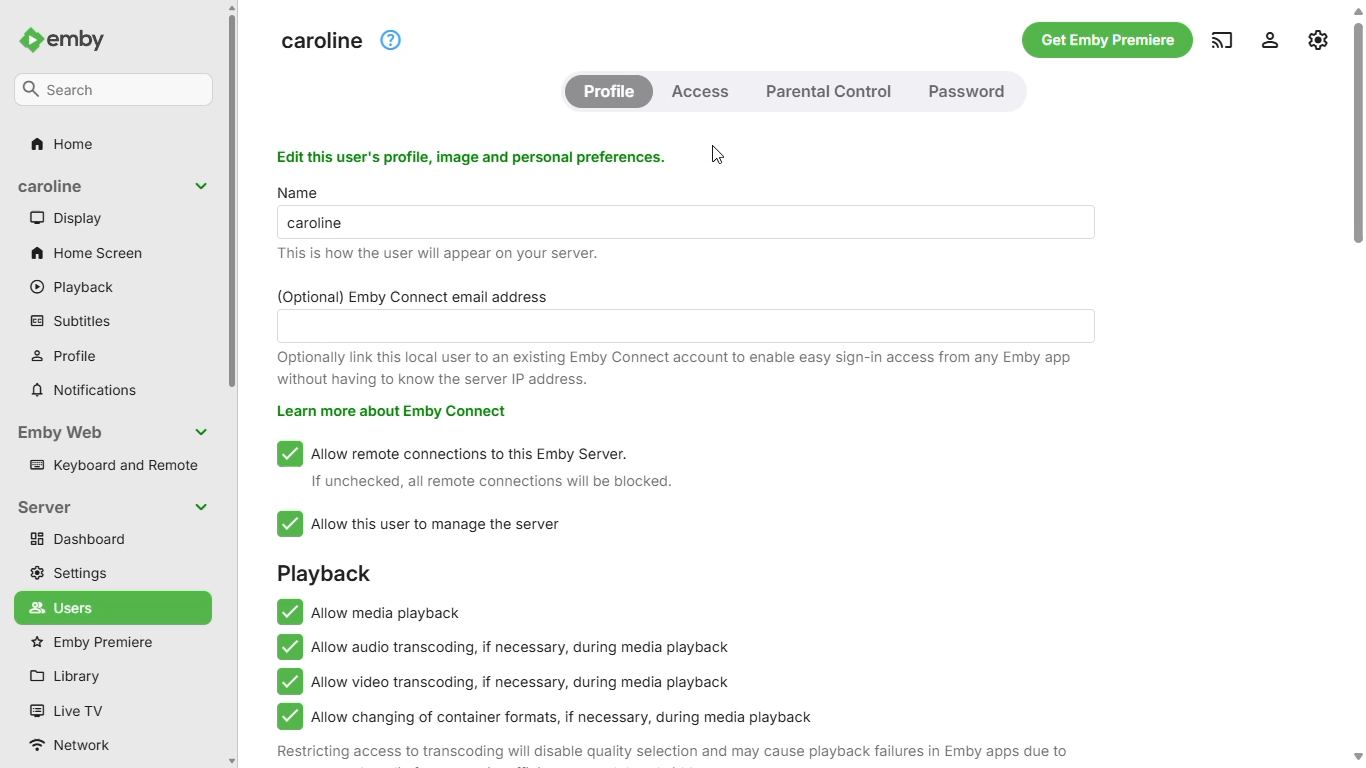 Image resolution: width=1366 pixels, height=768 pixels. What do you see at coordinates (1109, 39) in the screenshot?
I see `get emby premiere` at bounding box center [1109, 39].